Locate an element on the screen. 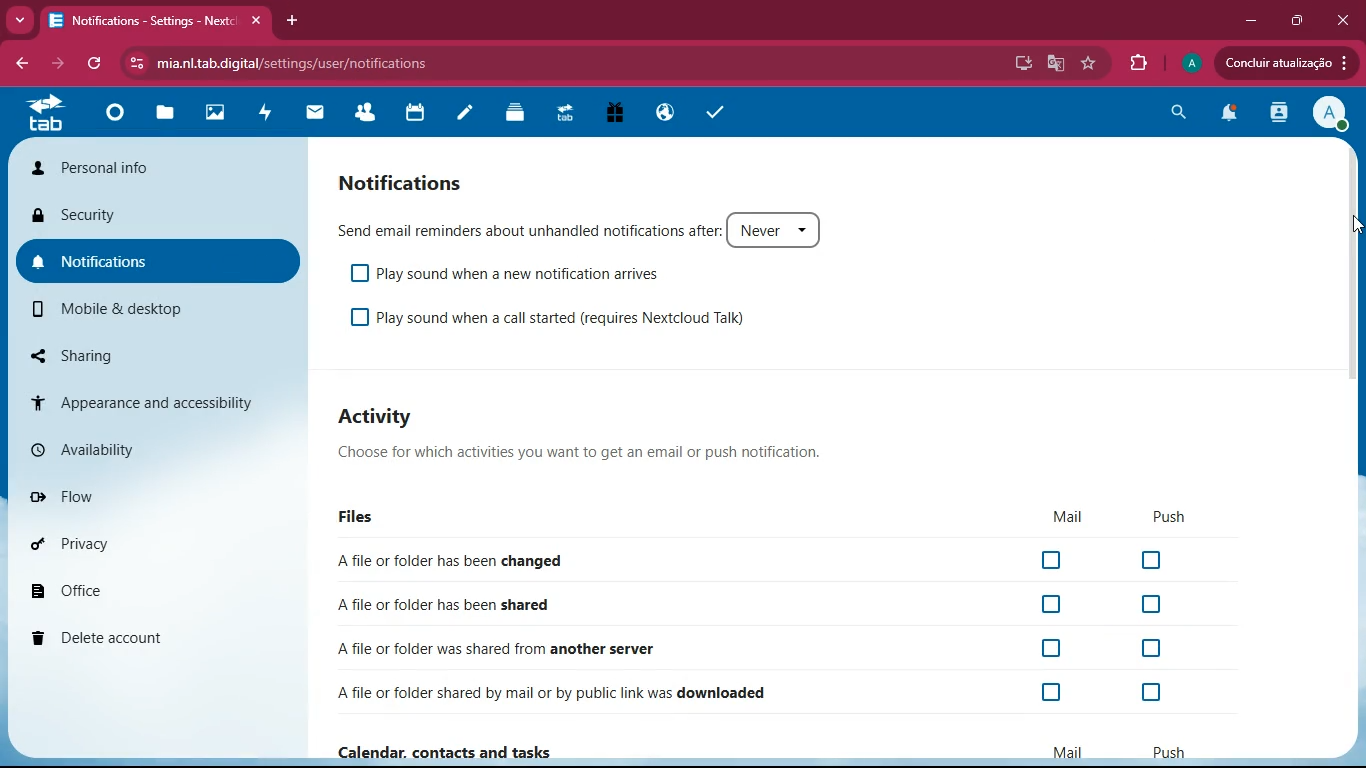 The width and height of the screenshot is (1366, 768). off is located at coordinates (1146, 605).